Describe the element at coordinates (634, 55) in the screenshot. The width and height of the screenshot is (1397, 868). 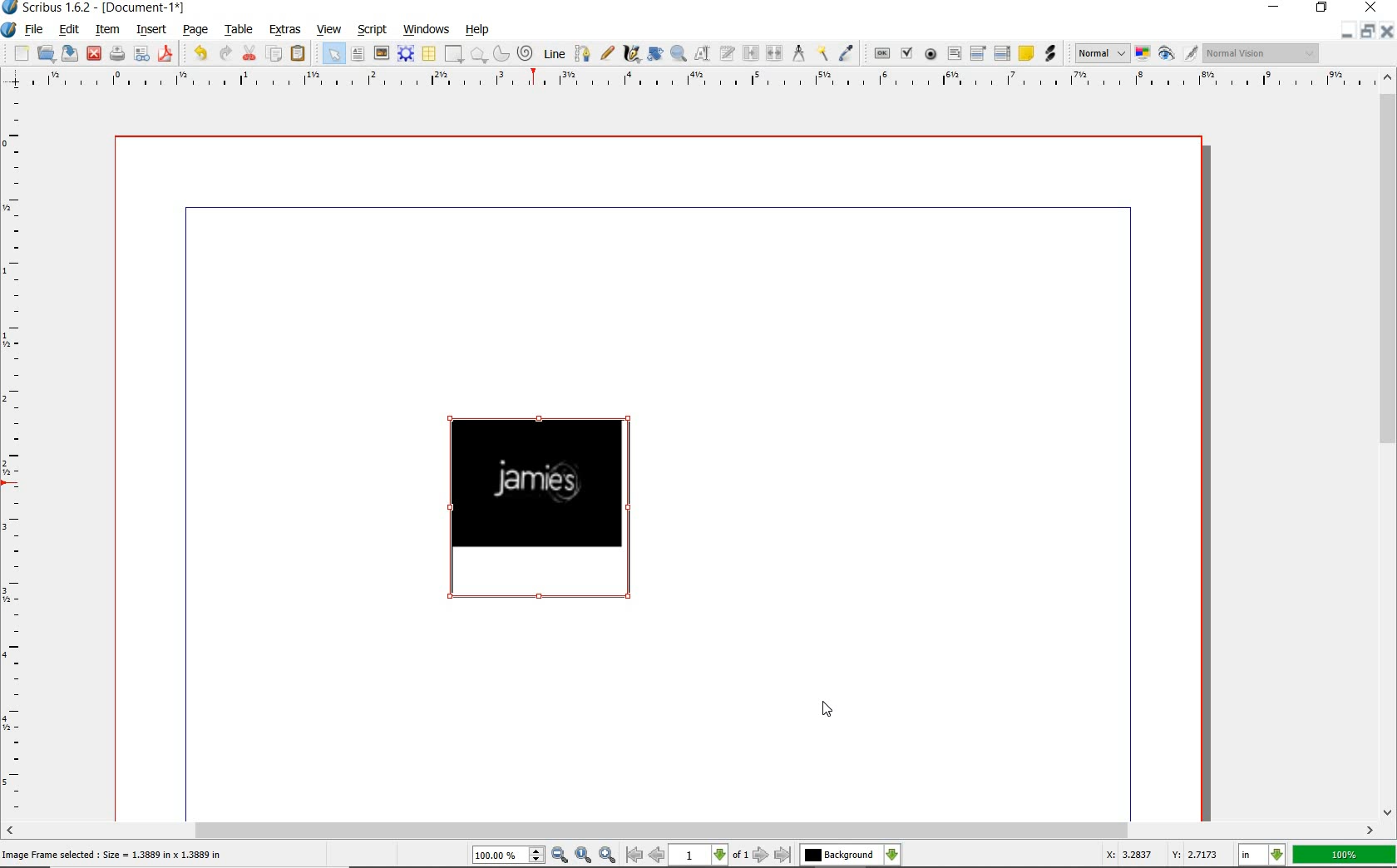
I see `calligraphic line` at that location.